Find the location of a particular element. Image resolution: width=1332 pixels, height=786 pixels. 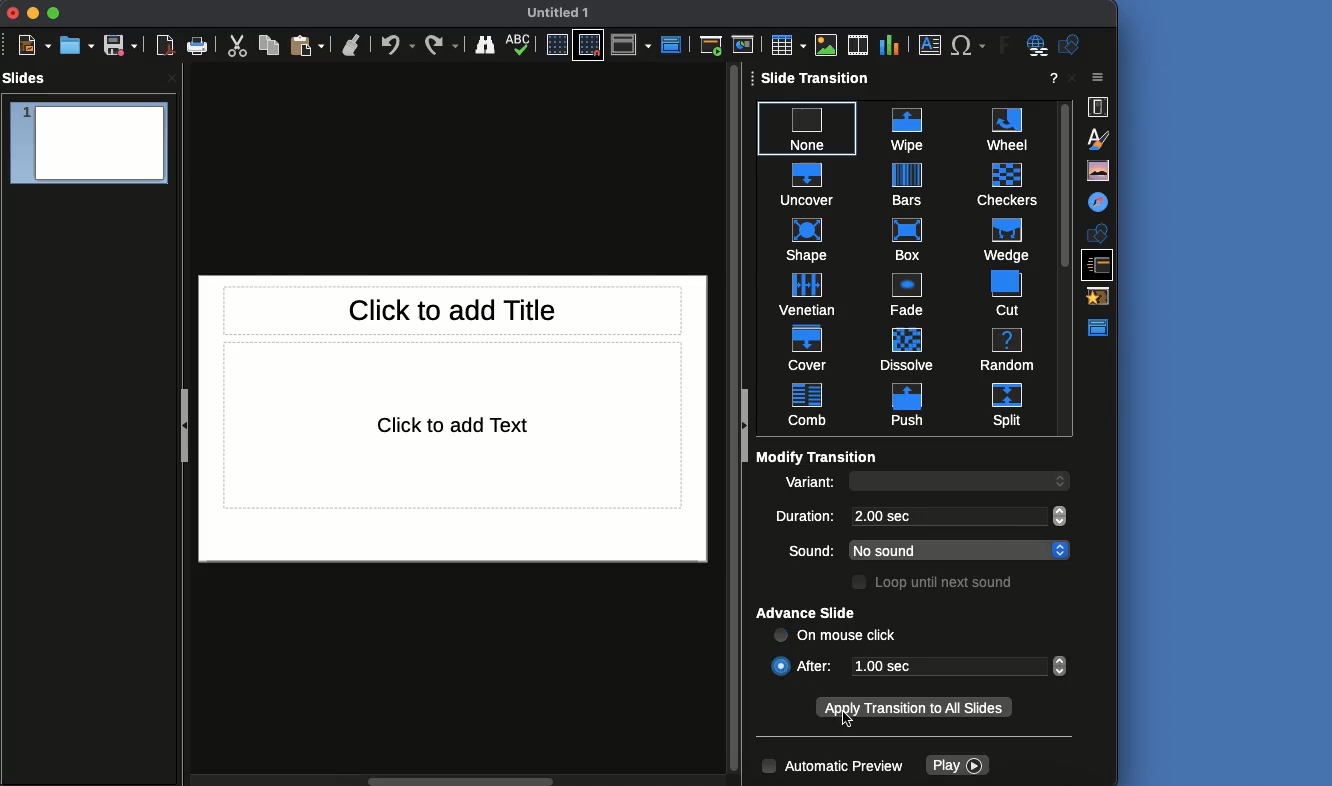

venetian is located at coordinates (808, 291).